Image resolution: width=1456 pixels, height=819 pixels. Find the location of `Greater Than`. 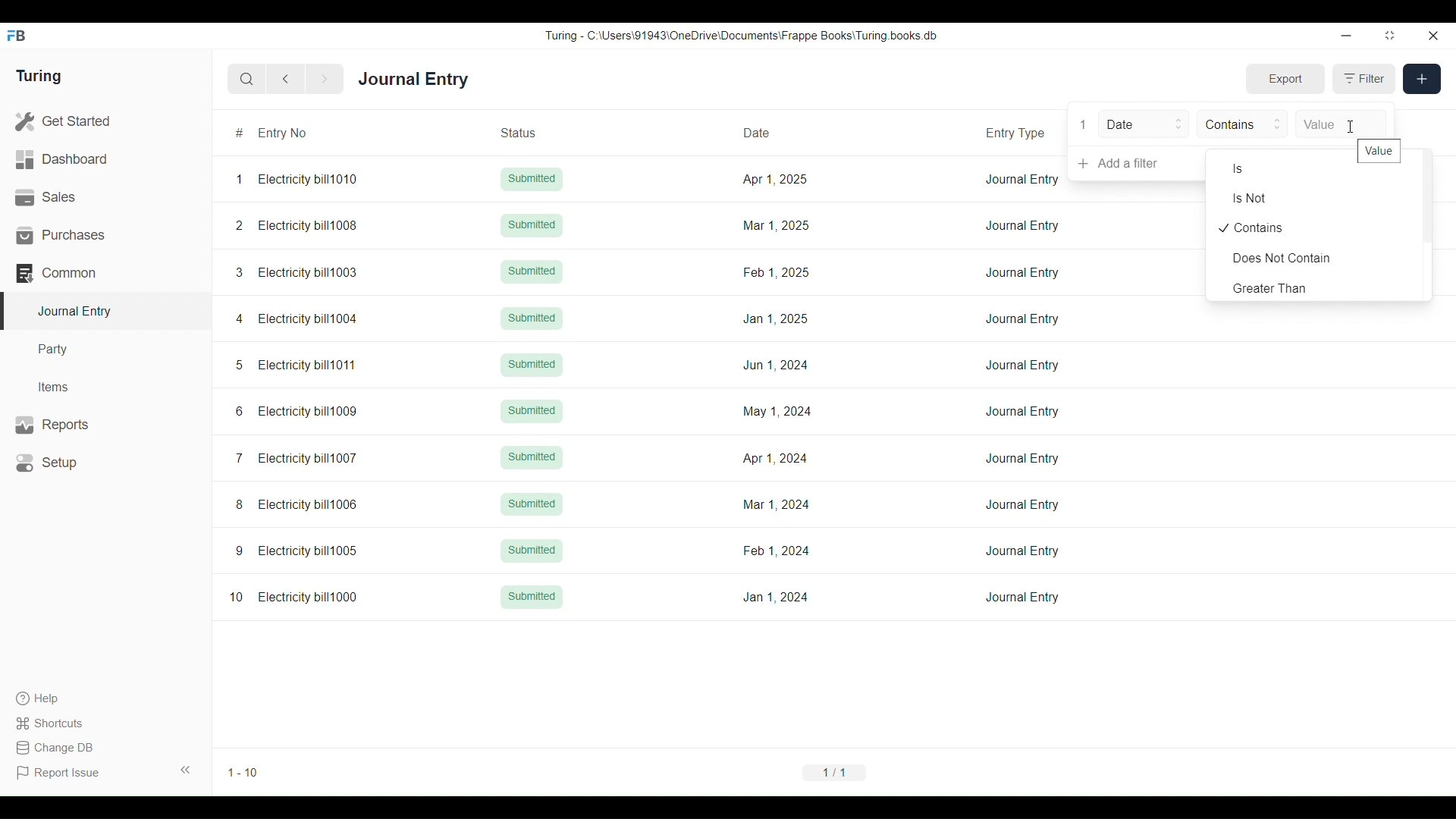

Greater Than is located at coordinates (1314, 287).